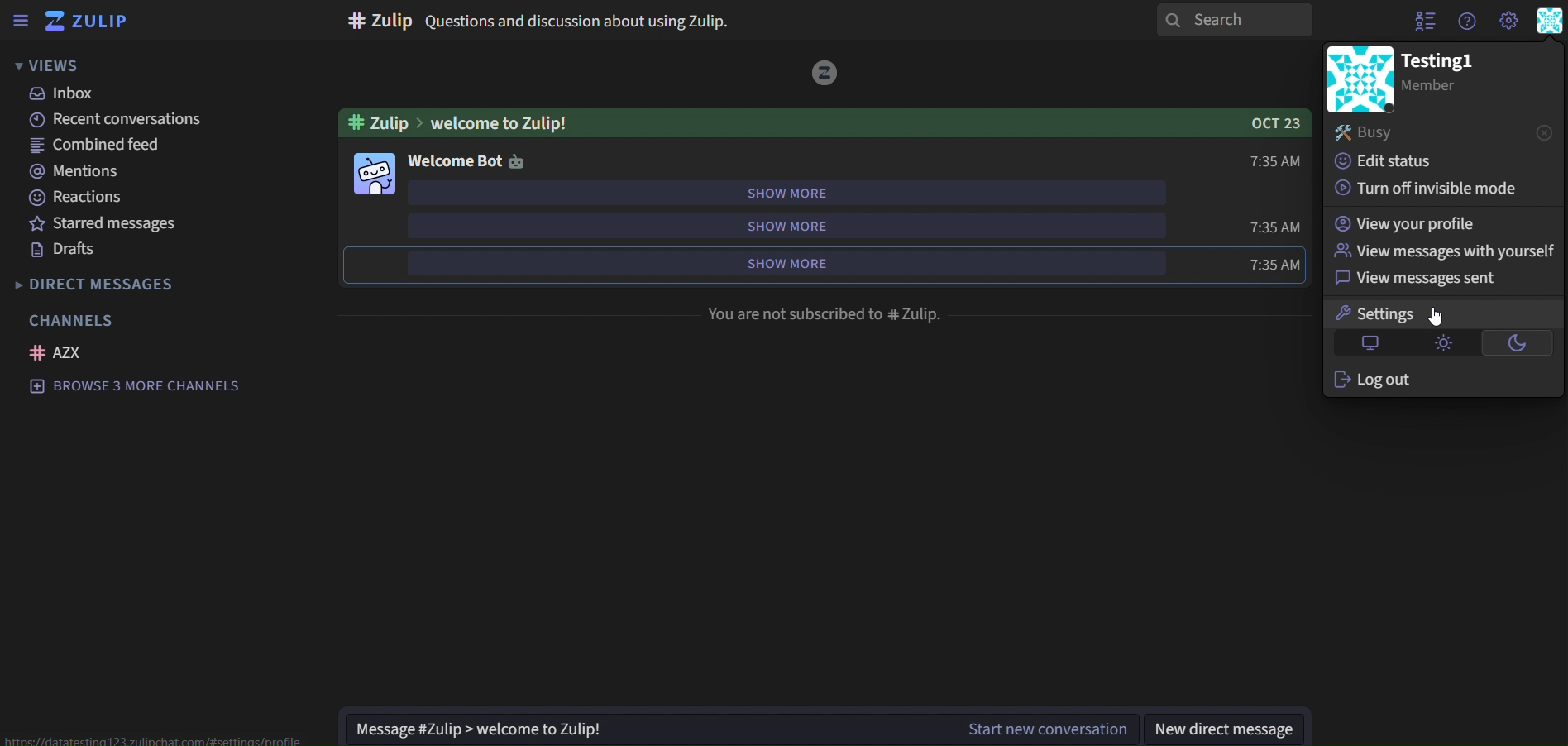  Describe the element at coordinates (1442, 88) in the screenshot. I see `member` at that location.